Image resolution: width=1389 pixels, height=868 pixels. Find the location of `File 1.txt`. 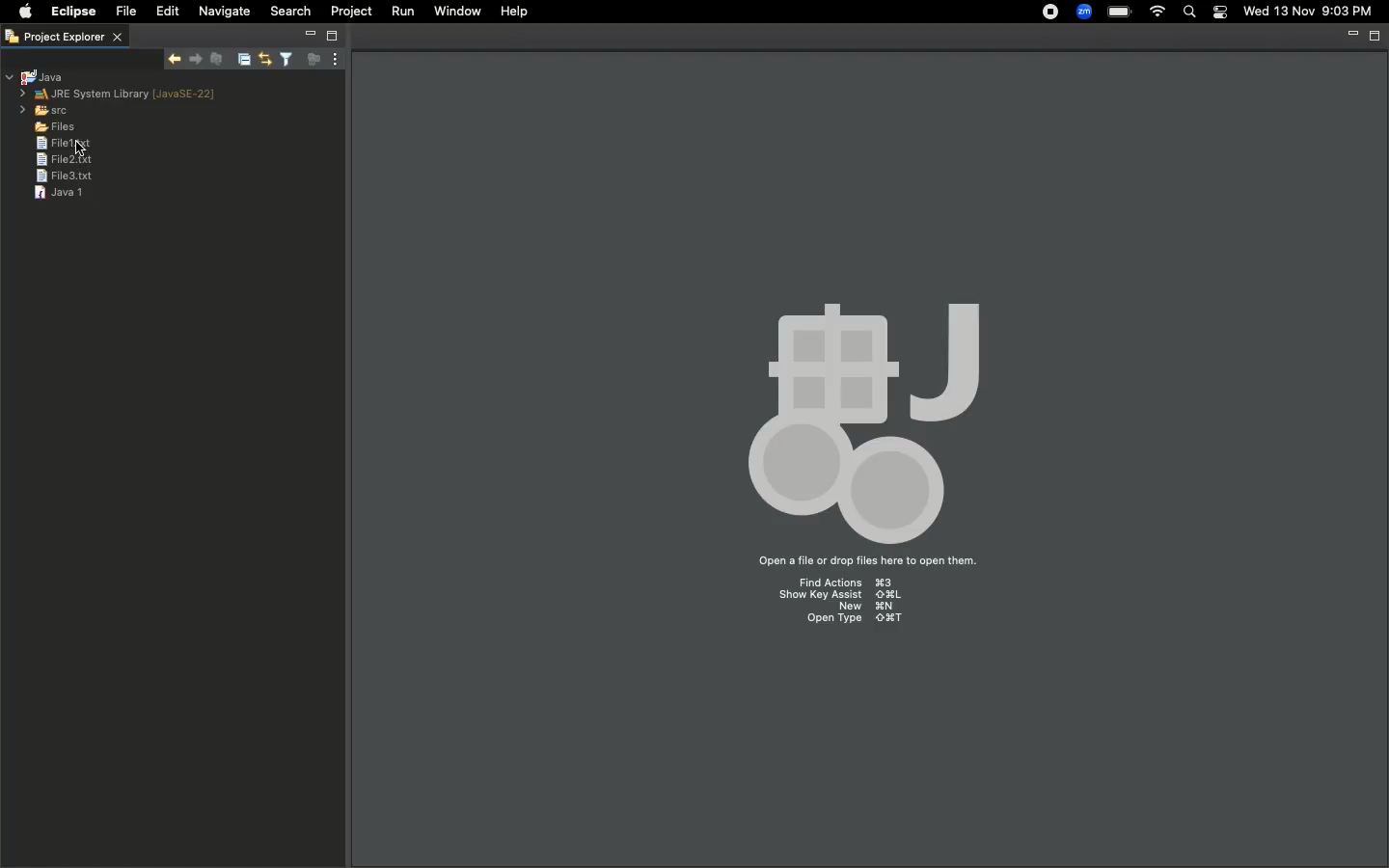

File 1.txt is located at coordinates (45, 144).